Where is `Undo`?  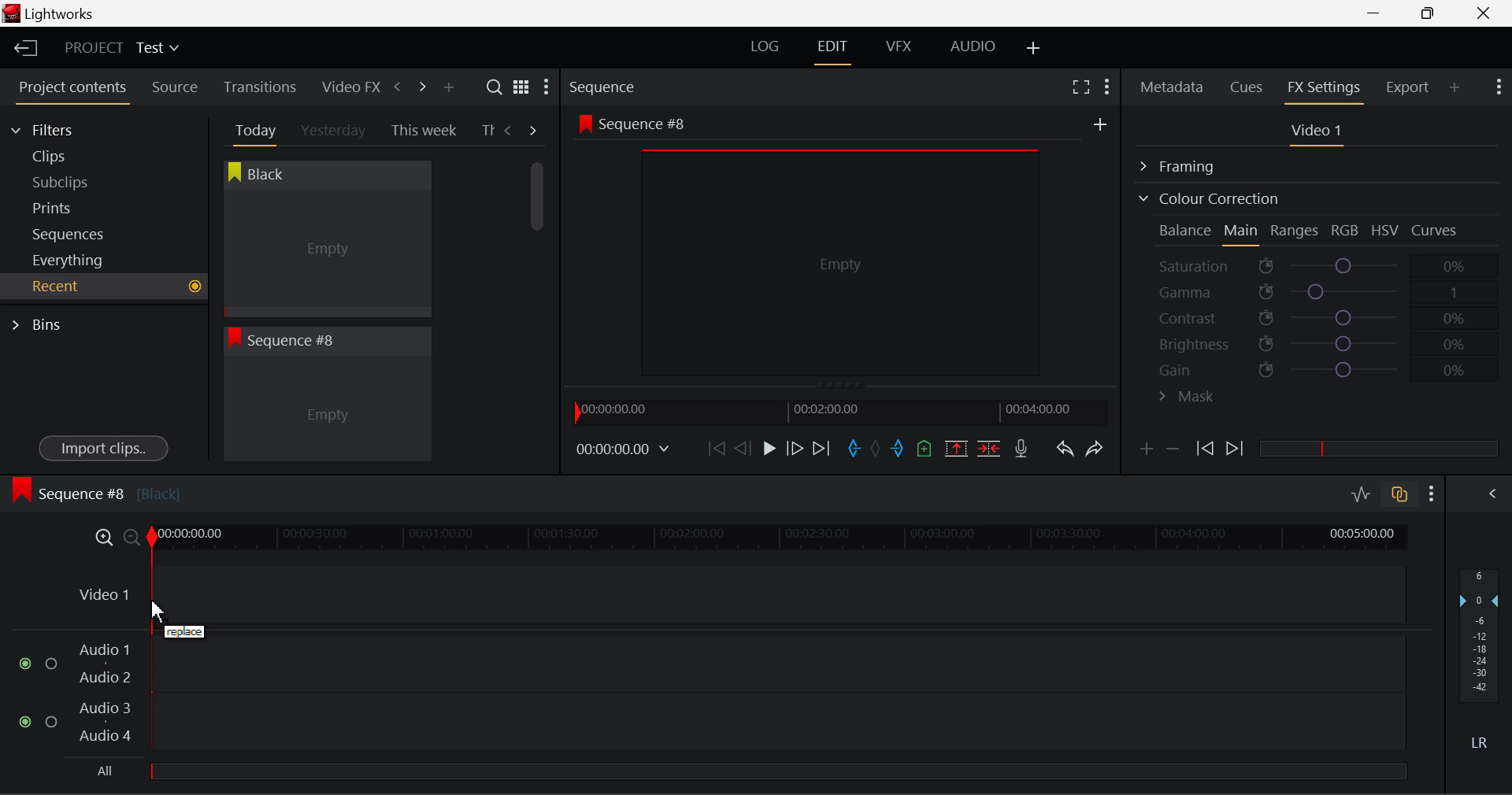 Undo is located at coordinates (1064, 452).